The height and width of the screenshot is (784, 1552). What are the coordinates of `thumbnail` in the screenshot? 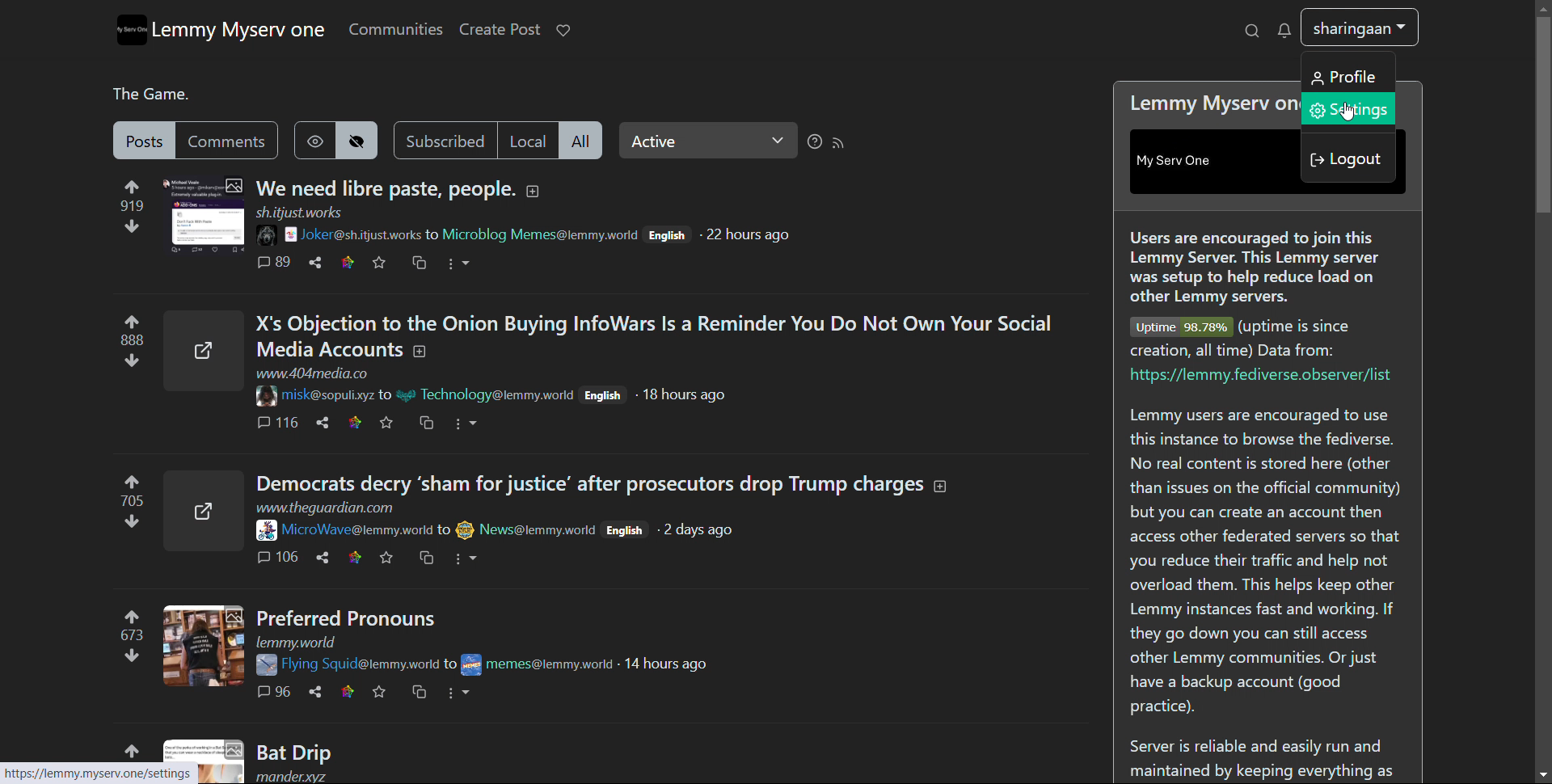 It's located at (203, 648).